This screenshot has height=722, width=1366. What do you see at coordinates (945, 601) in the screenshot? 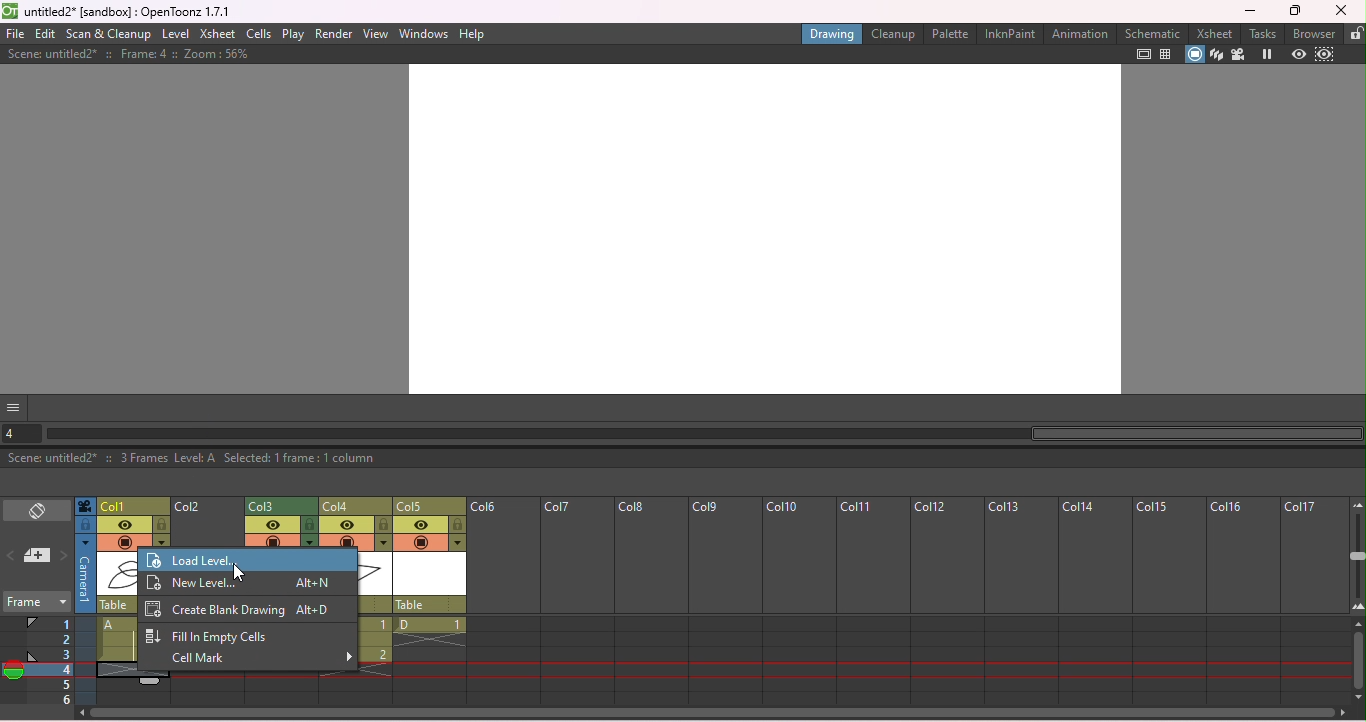
I see `column 12` at bounding box center [945, 601].